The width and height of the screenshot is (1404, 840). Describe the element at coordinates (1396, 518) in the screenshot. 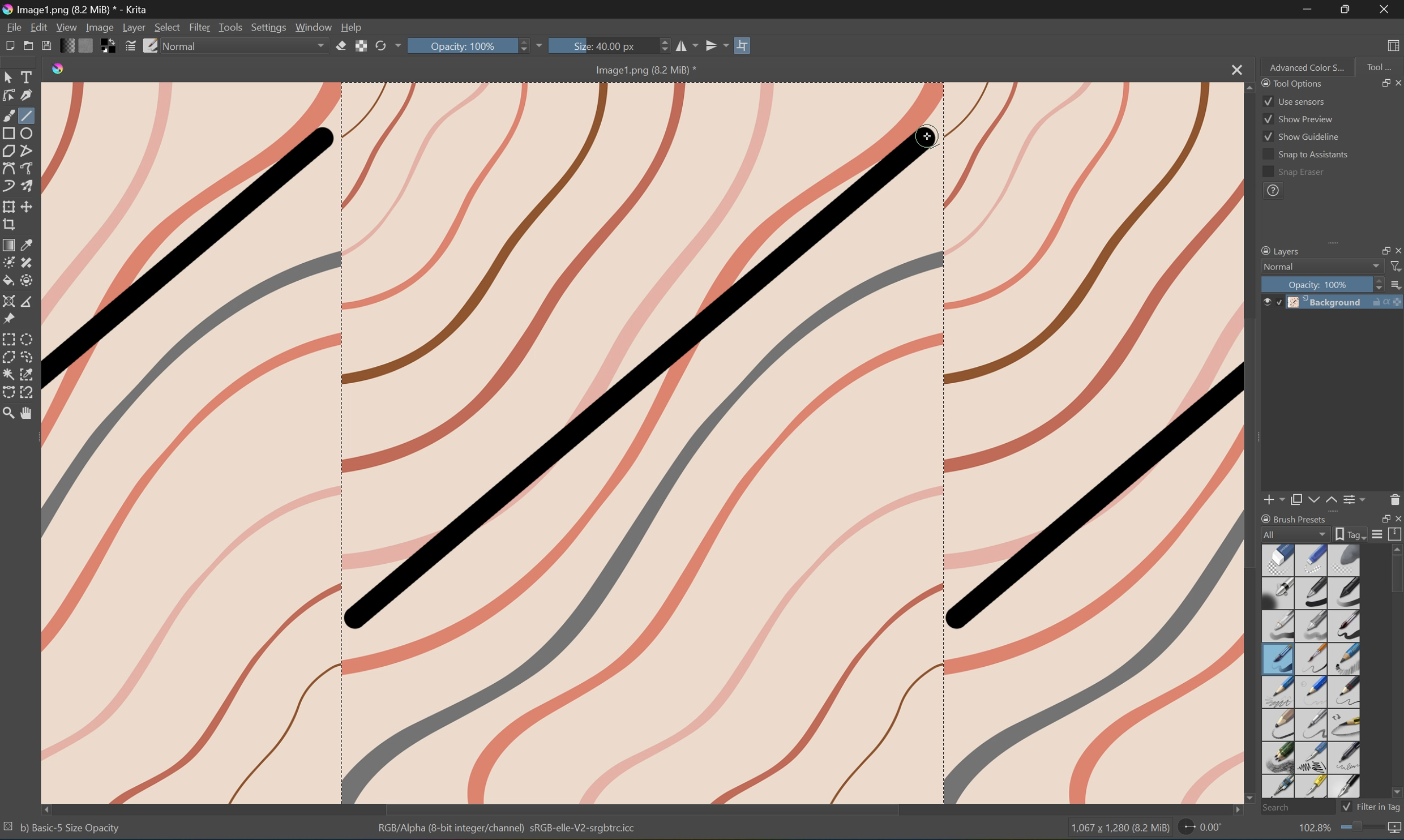

I see `Close` at that location.